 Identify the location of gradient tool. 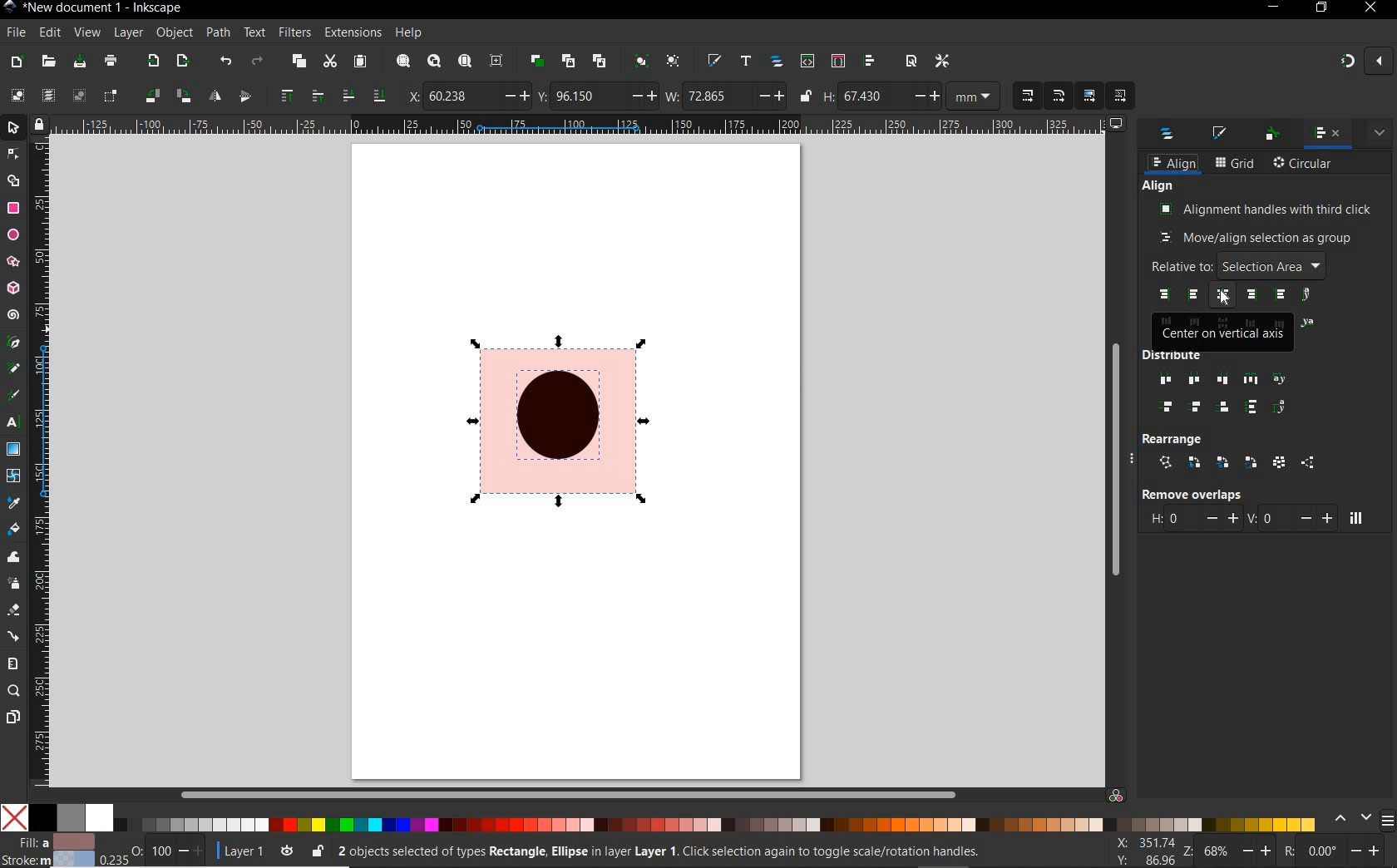
(14, 448).